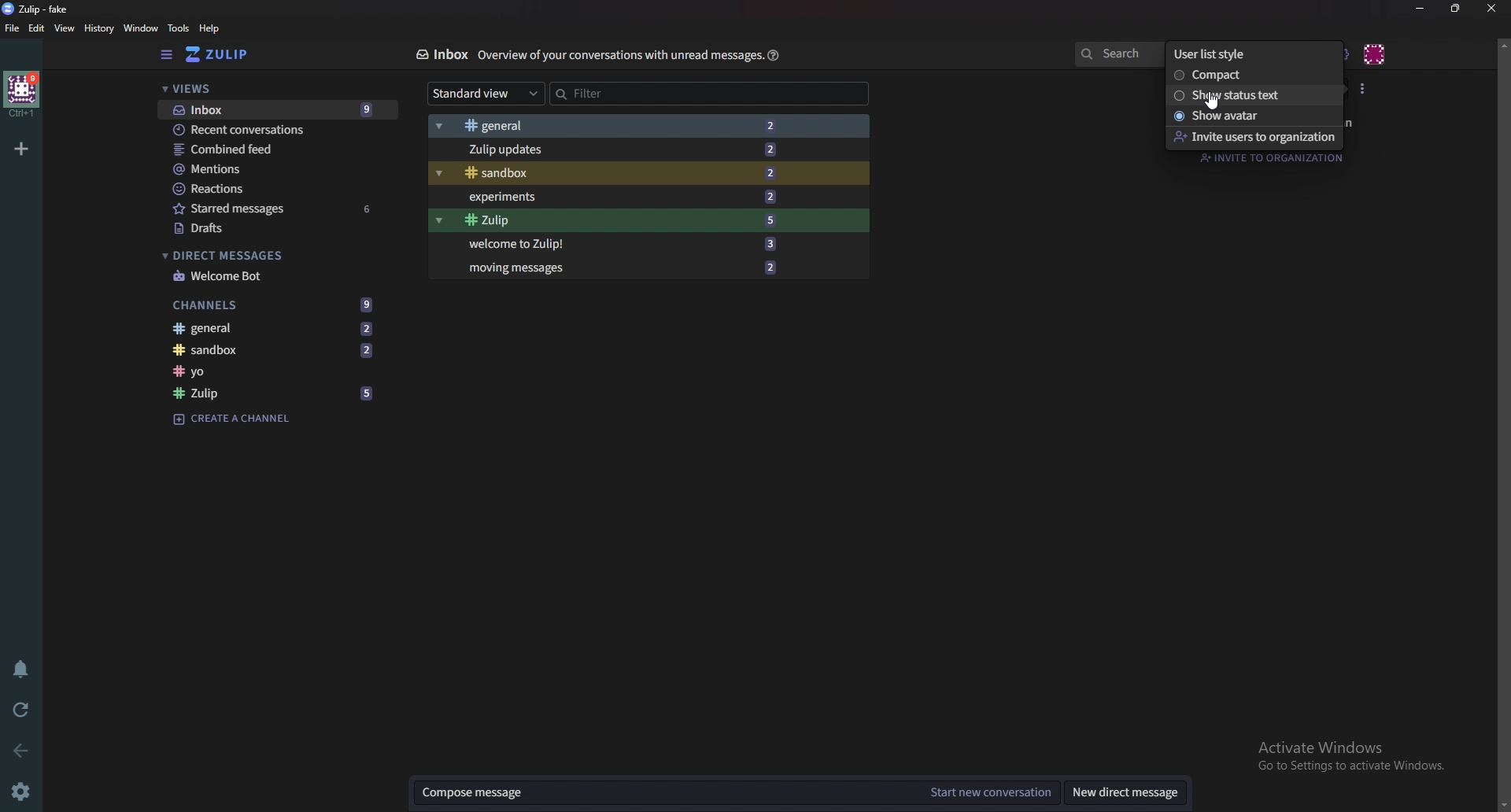  What do you see at coordinates (276, 392) in the screenshot?
I see `Zulip` at bounding box center [276, 392].